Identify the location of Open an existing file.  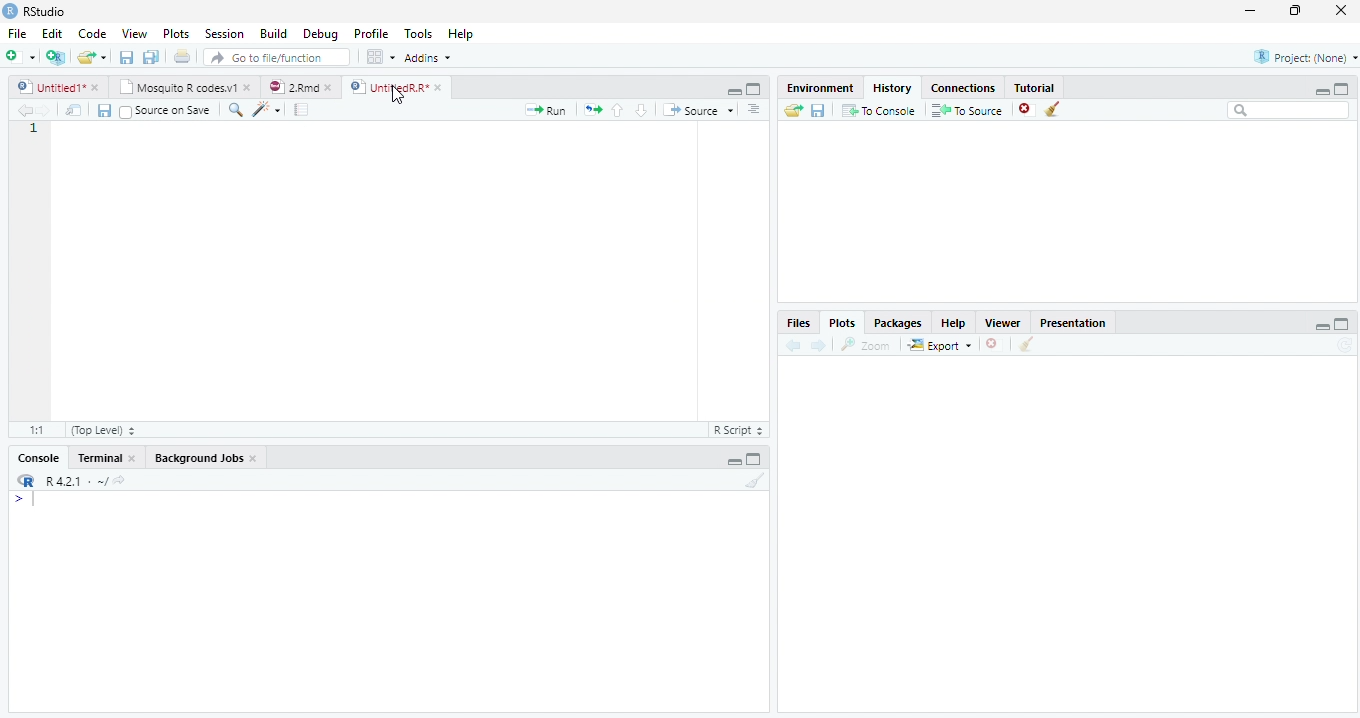
(93, 58).